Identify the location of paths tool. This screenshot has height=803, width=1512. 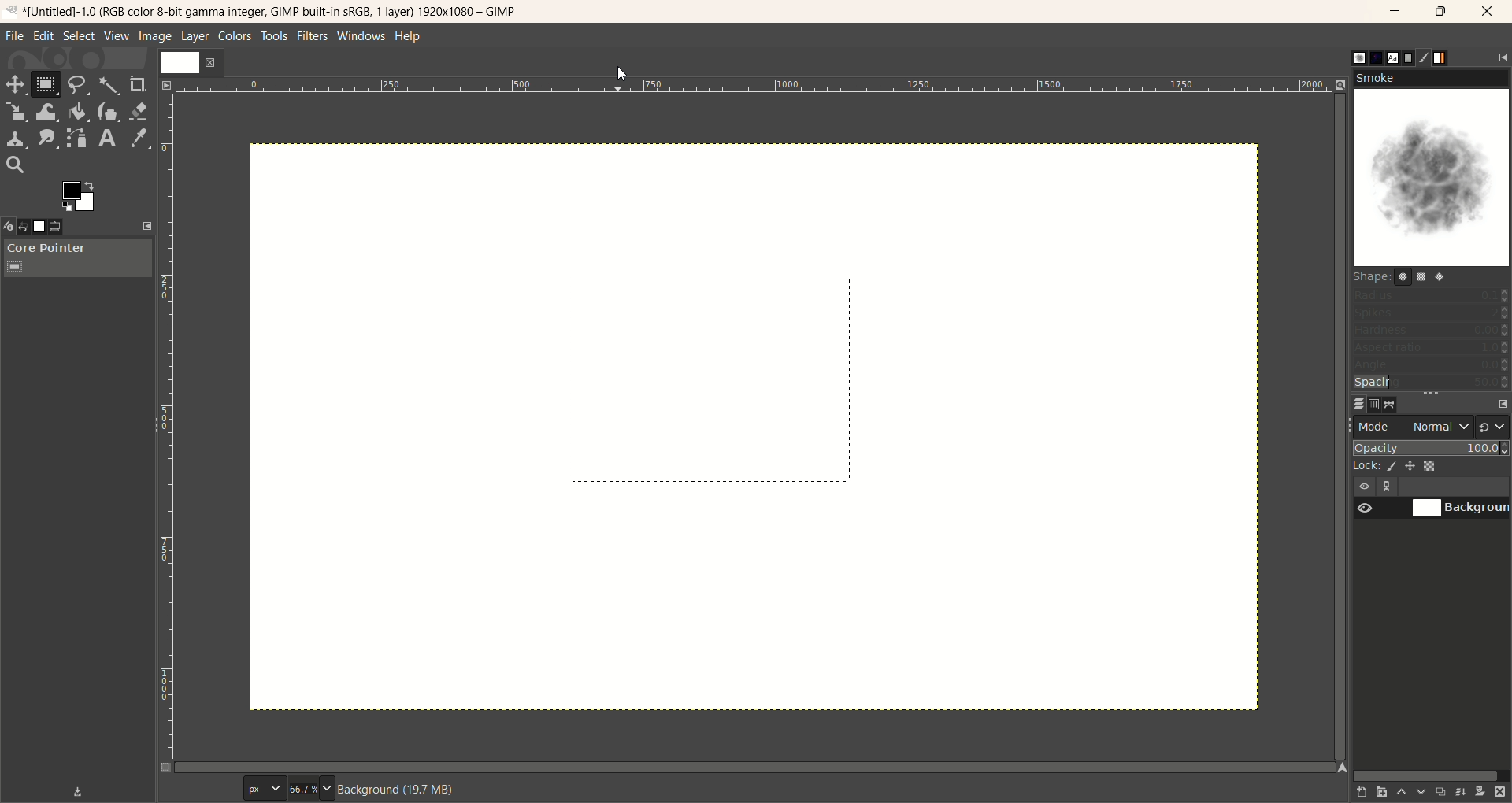
(76, 138).